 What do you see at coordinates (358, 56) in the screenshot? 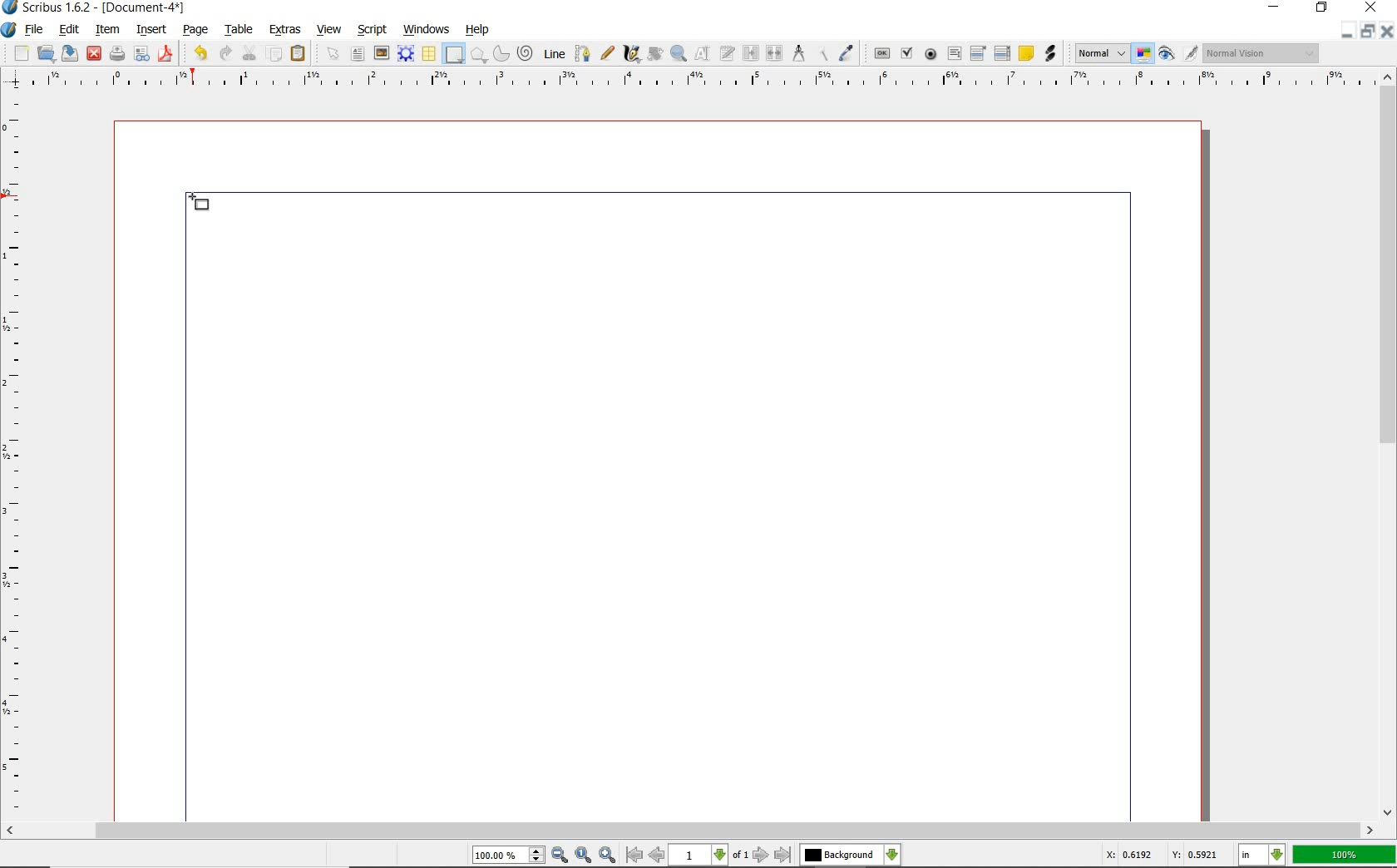
I see `text frame` at bounding box center [358, 56].